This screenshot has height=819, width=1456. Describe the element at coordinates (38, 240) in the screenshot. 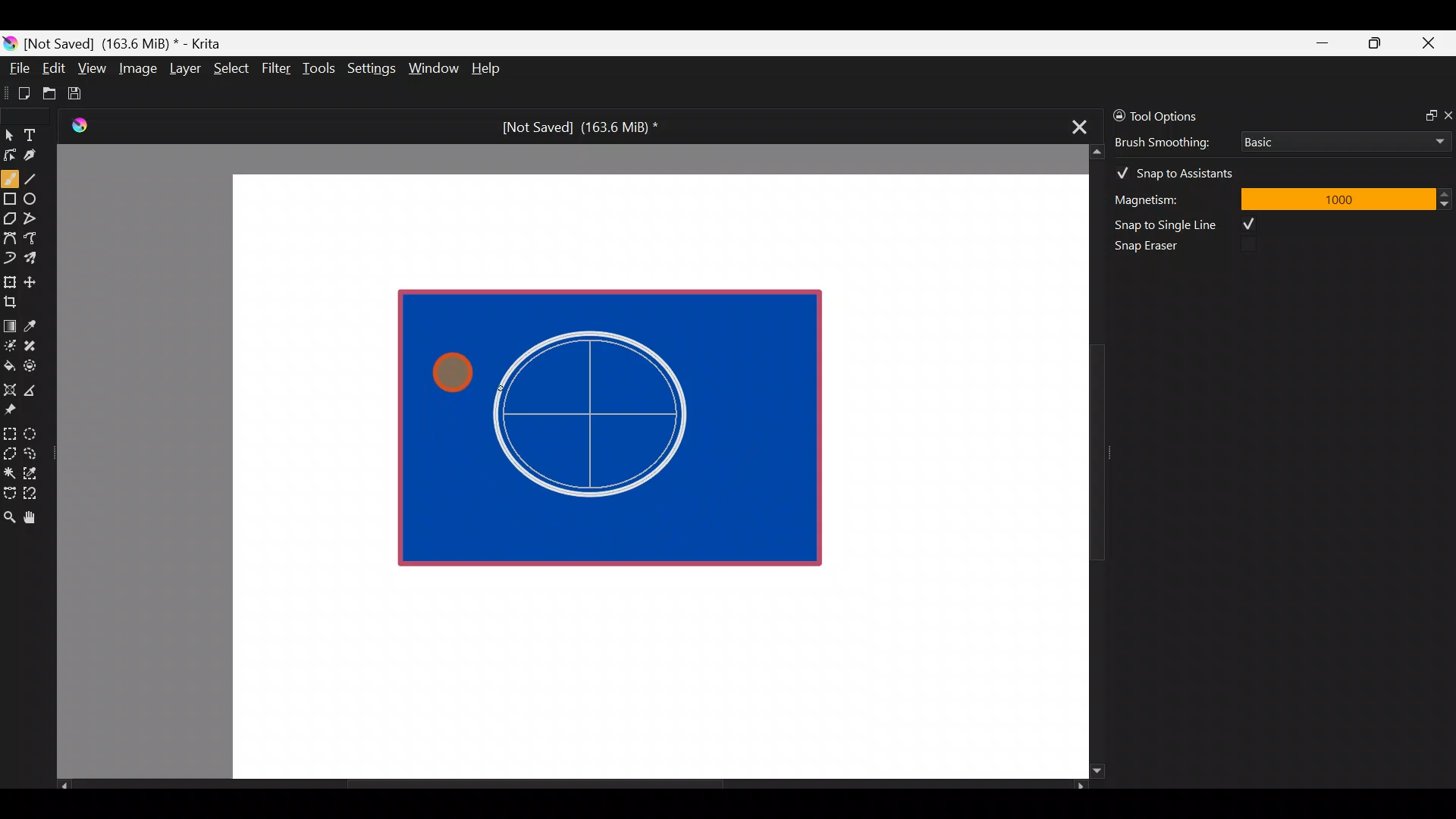

I see `Freehand path tool` at that location.